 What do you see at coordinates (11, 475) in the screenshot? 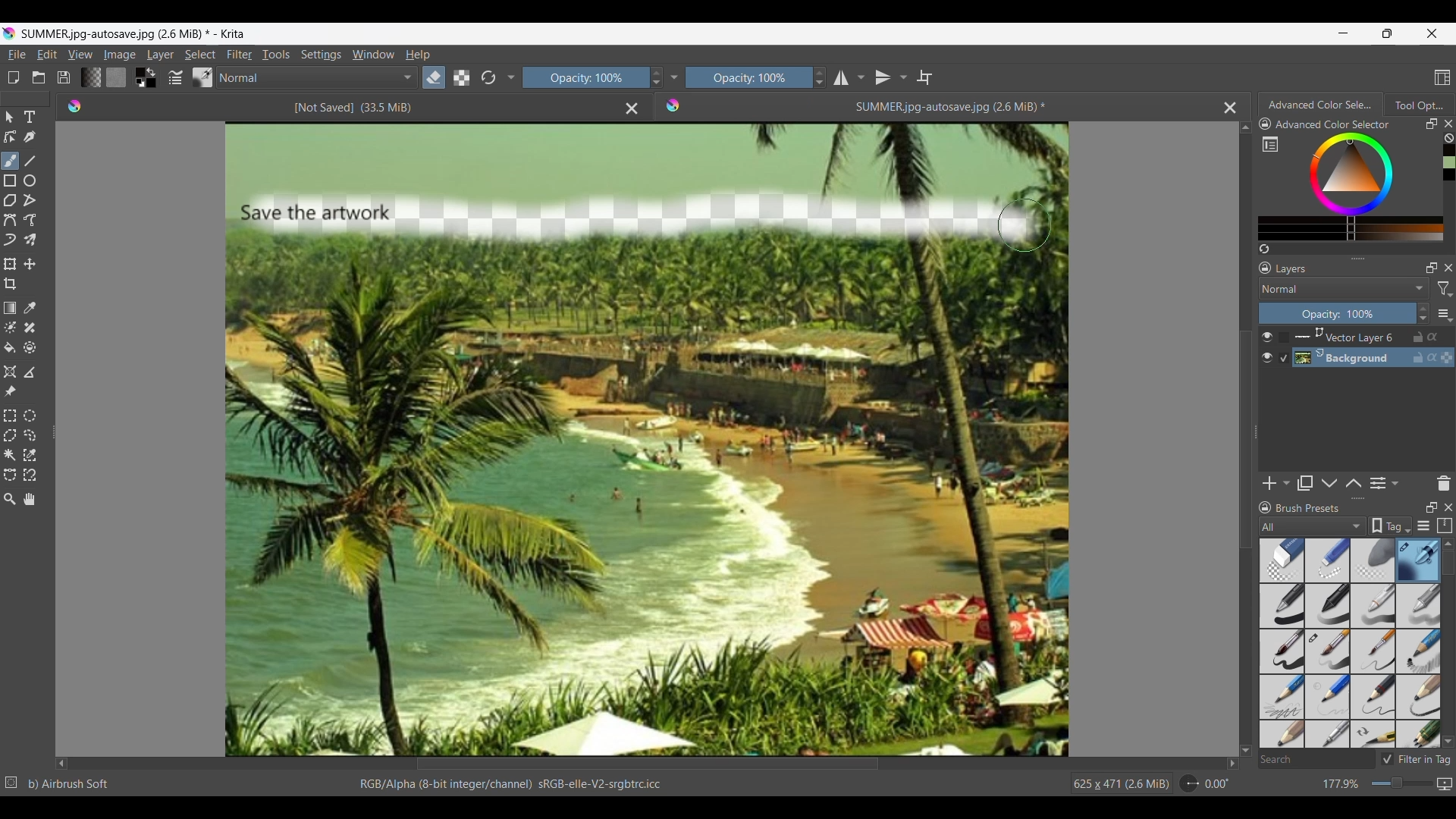
I see `Bezier curve selection tool` at bounding box center [11, 475].